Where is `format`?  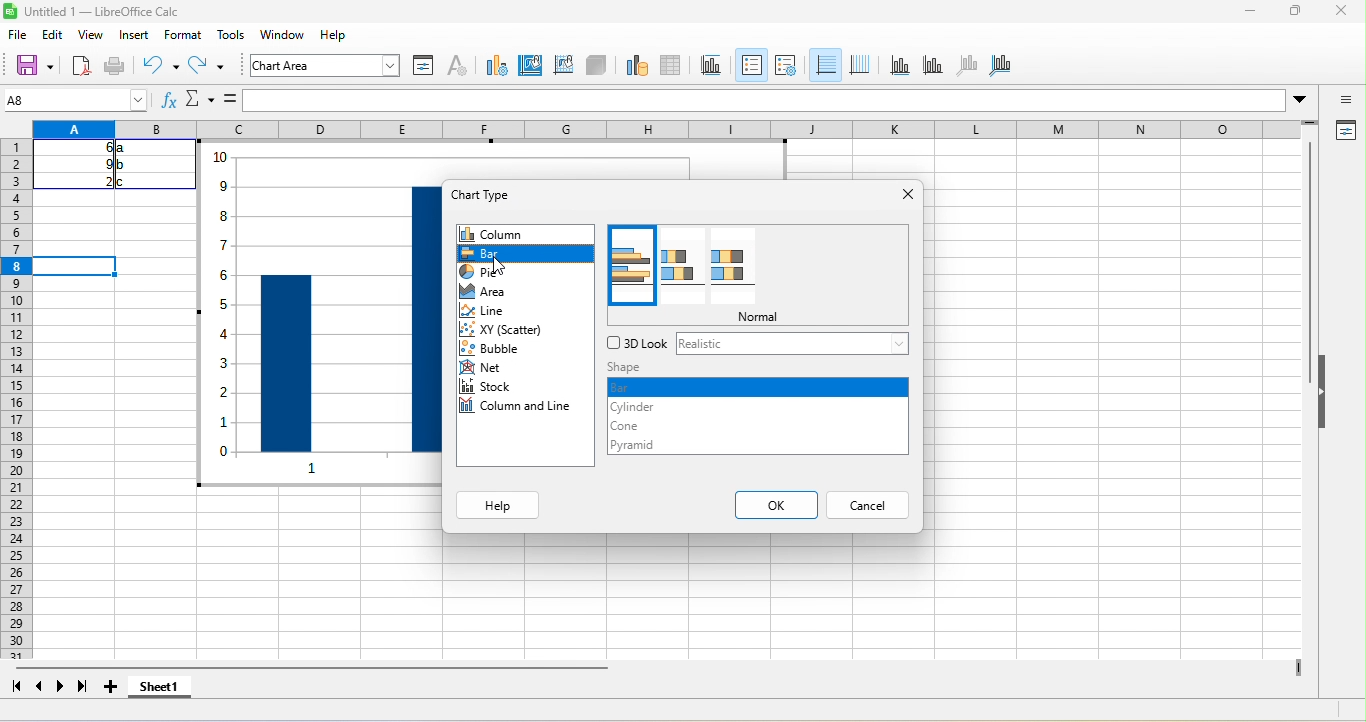
format is located at coordinates (182, 36).